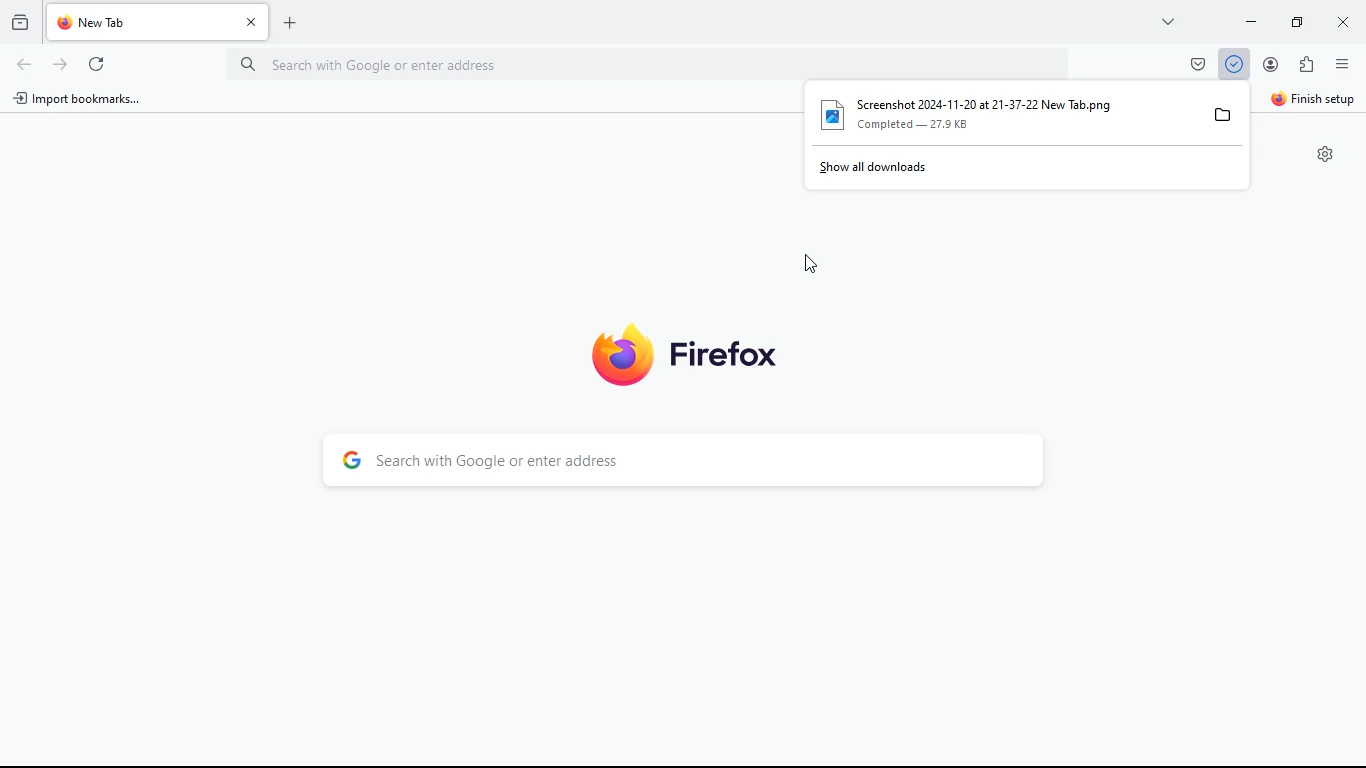  Describe the element at coordinates (1248, 22) in the screenshot. I see `minimize` at that location.